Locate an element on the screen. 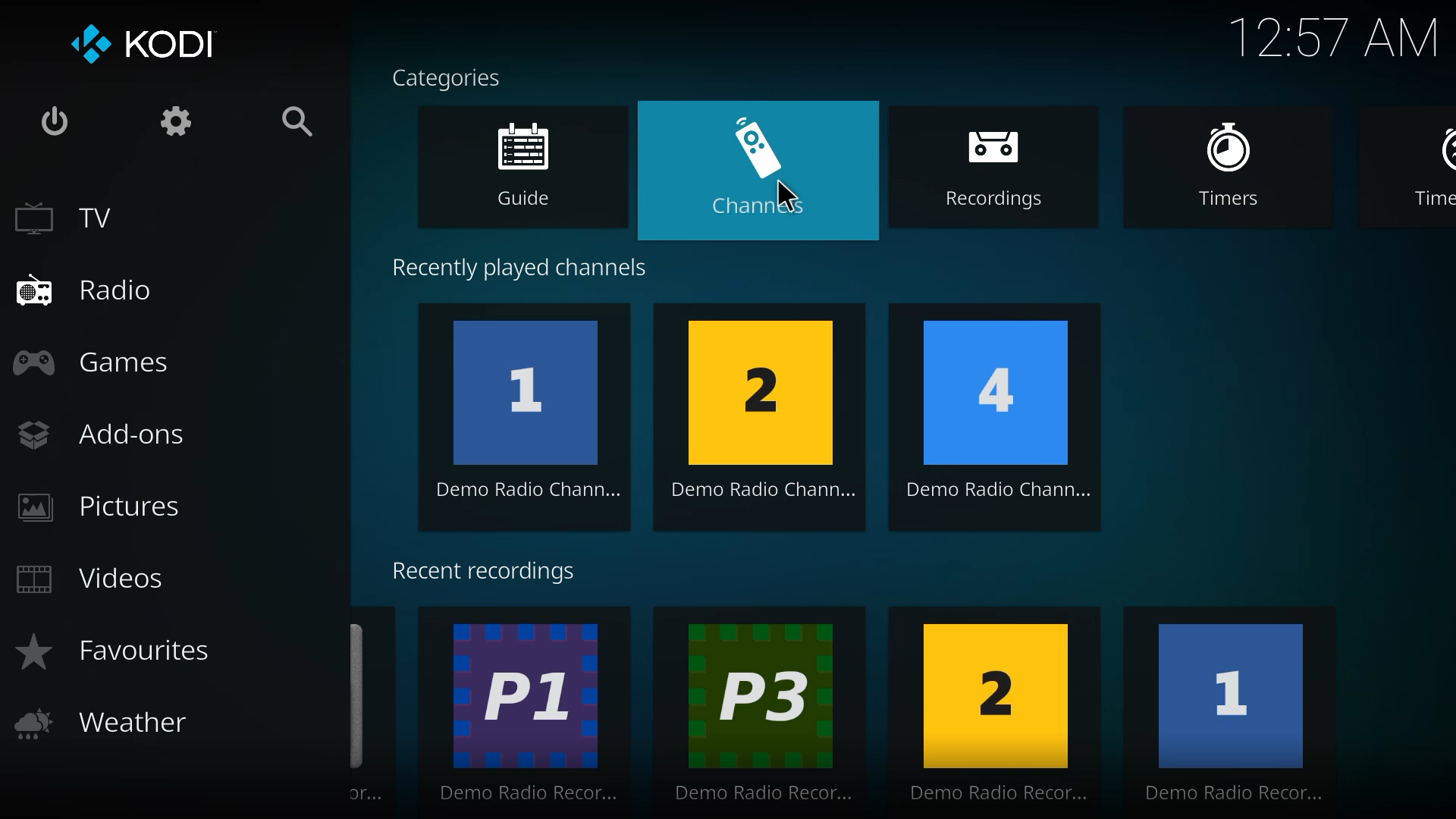 Image resolution: width=1456 pixels, height=819 pixels. favorites is located at coordinates (112, 651).